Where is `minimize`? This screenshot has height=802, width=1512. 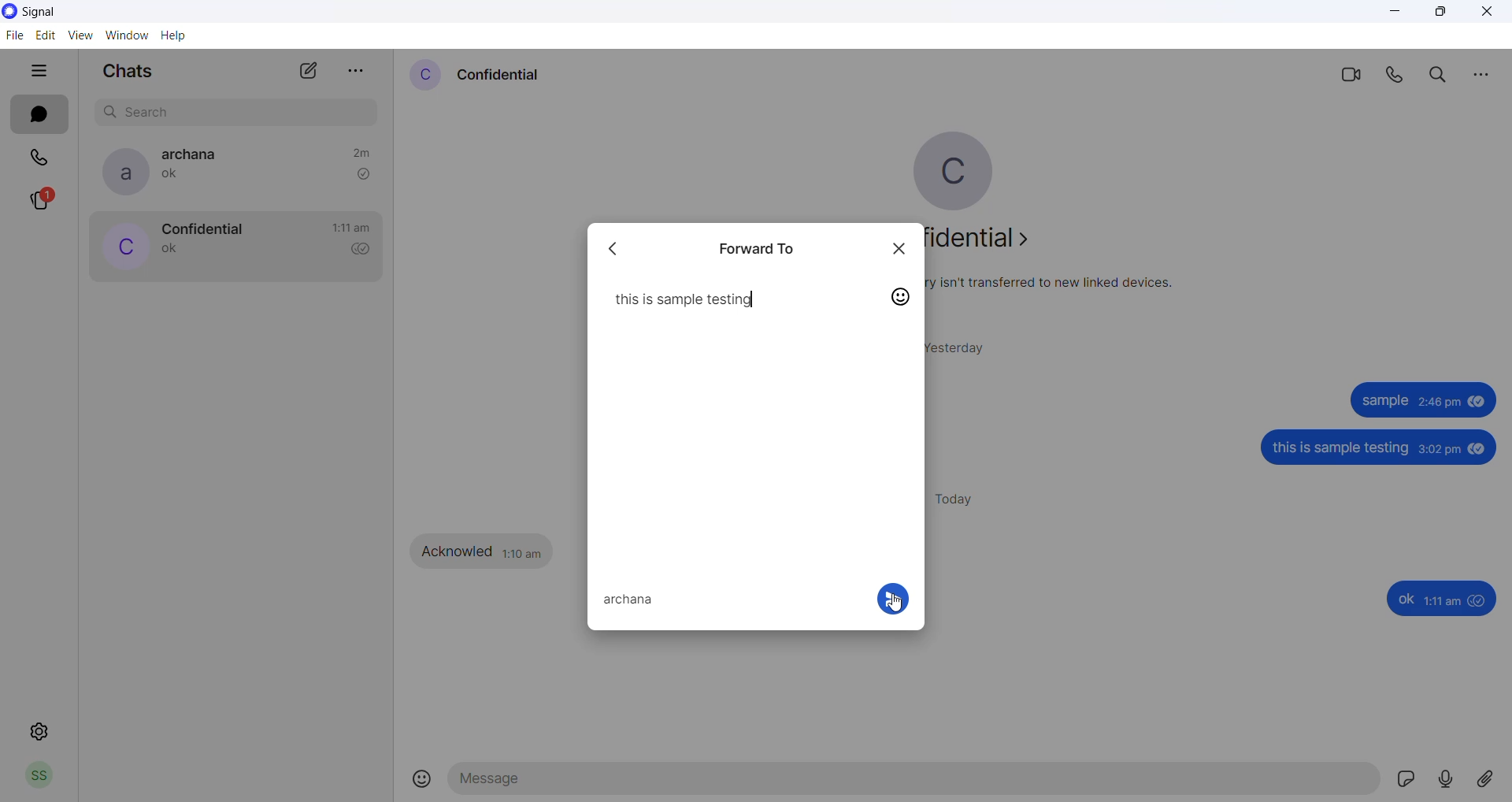
minimize is located at coordinates (1397, 16).